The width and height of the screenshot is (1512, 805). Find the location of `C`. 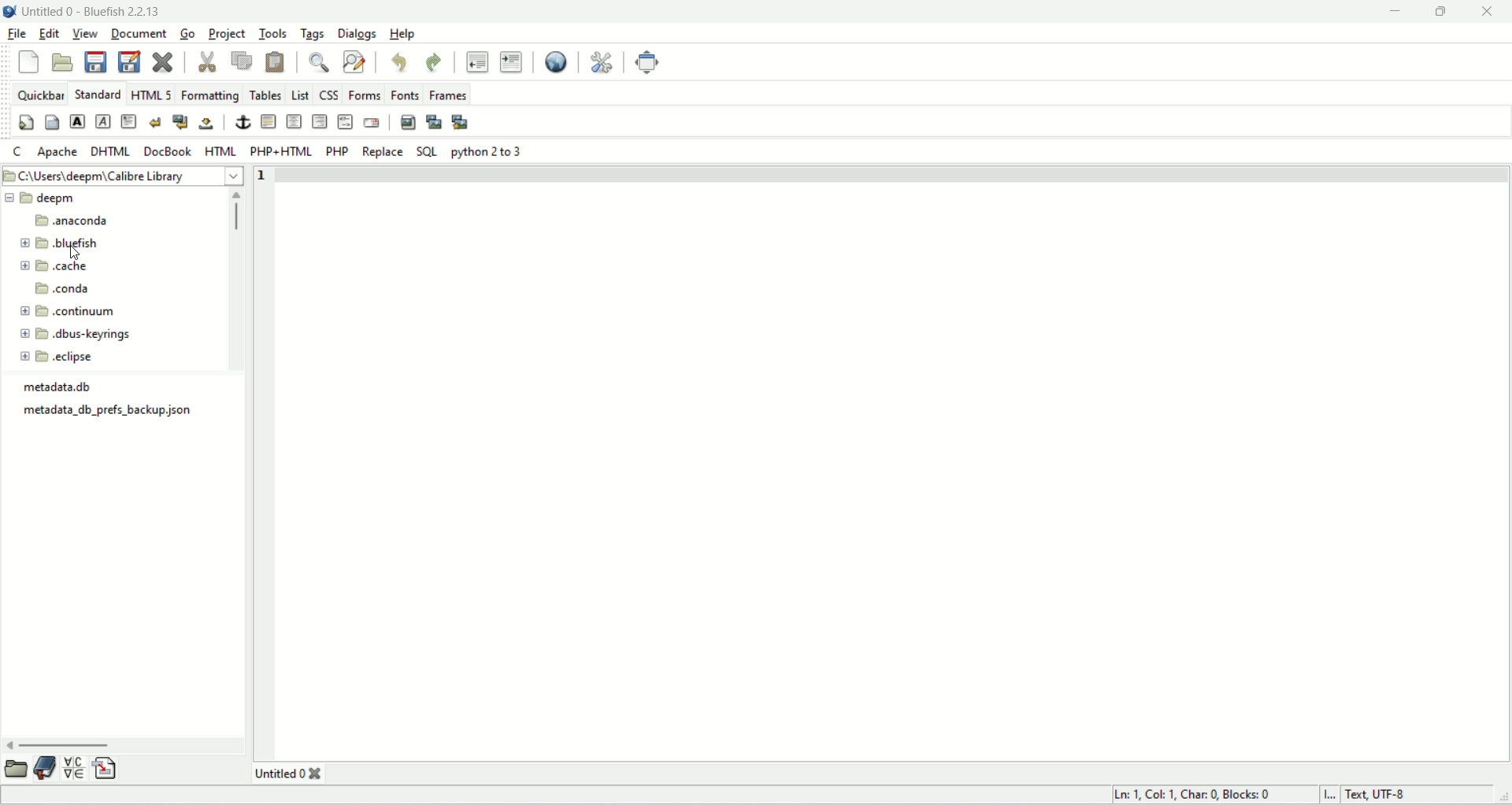

C is located at coordinates (17, 153).